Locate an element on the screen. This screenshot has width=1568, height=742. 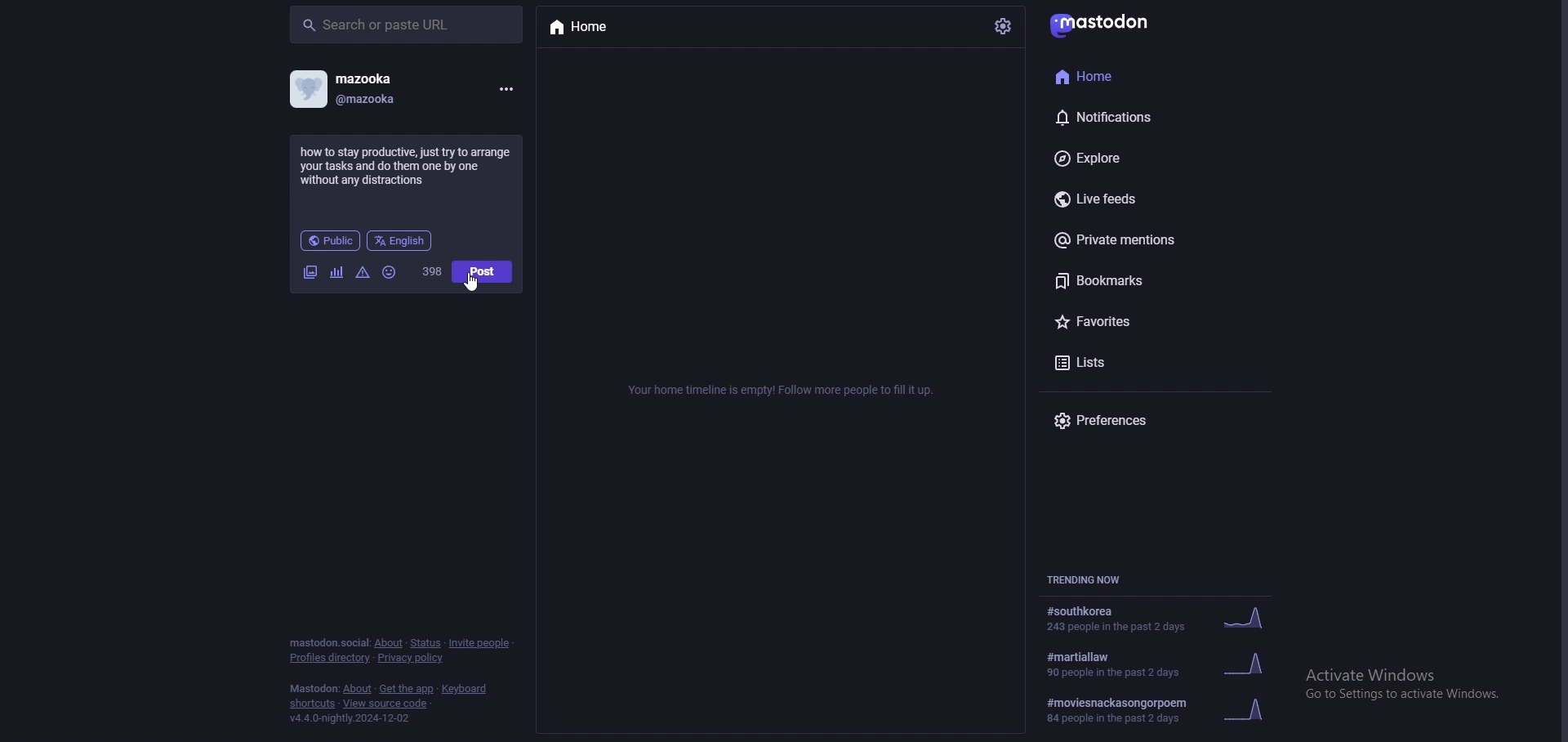
productivity status is located at coordinates (406, 163).